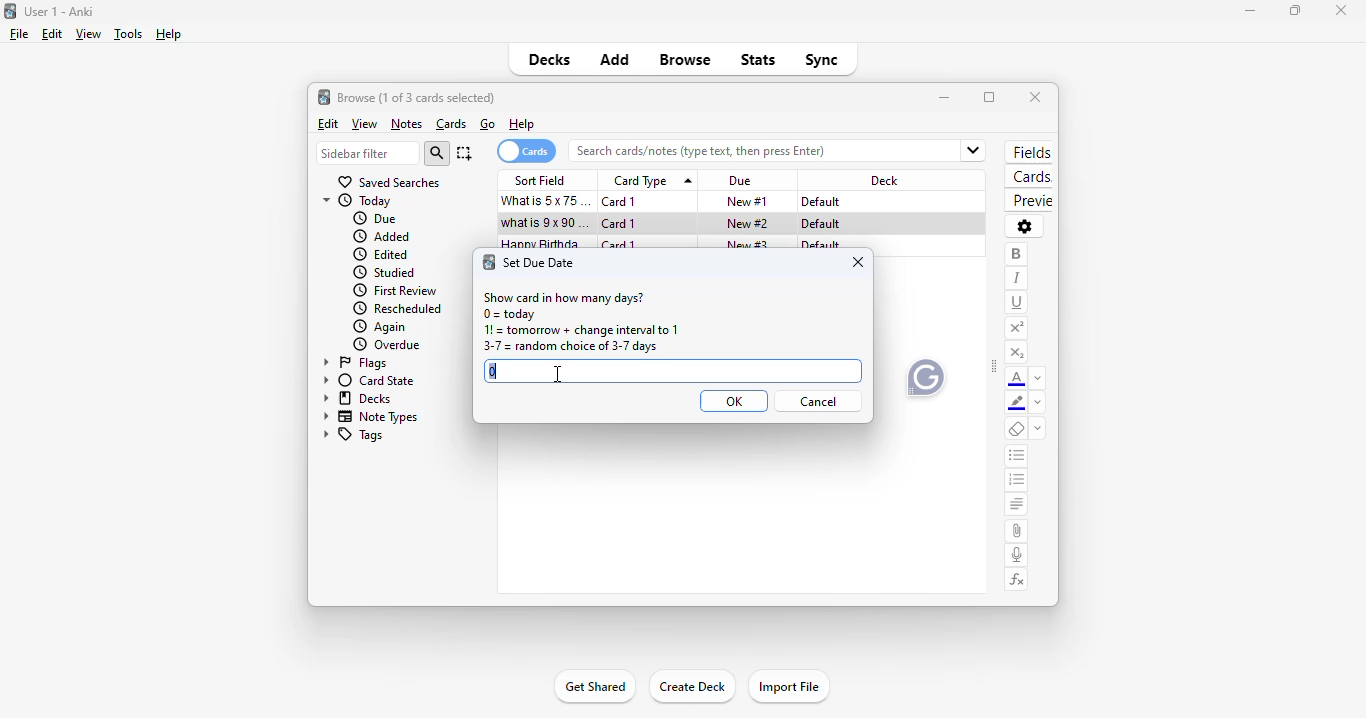 Image resolution: width=1366 pixels, height=718 pixels. Describe the element at coordinates (1025, 227) in the screenshot. I see `options` at that location.